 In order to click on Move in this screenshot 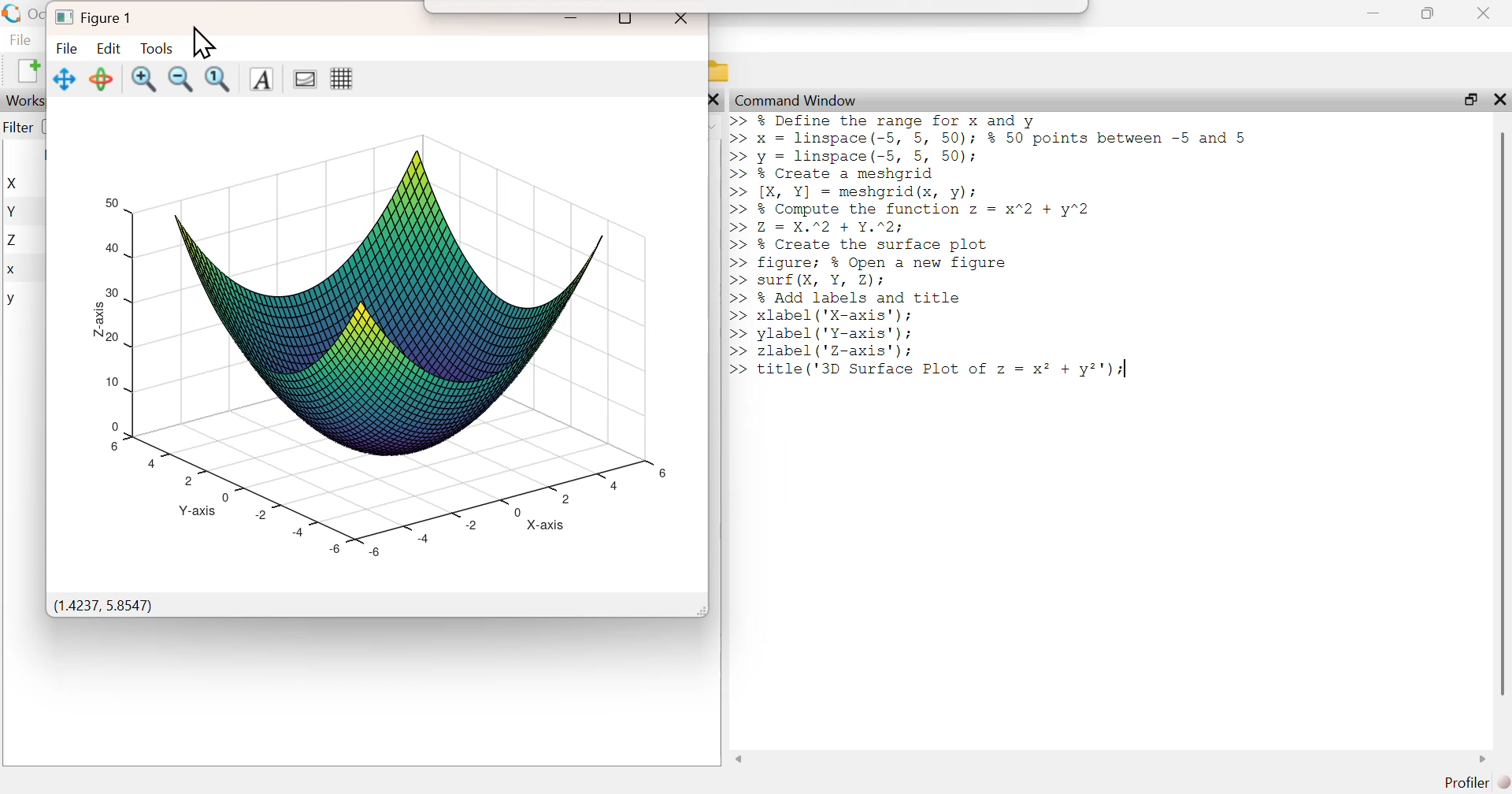, I will do `click(66, 79)`.